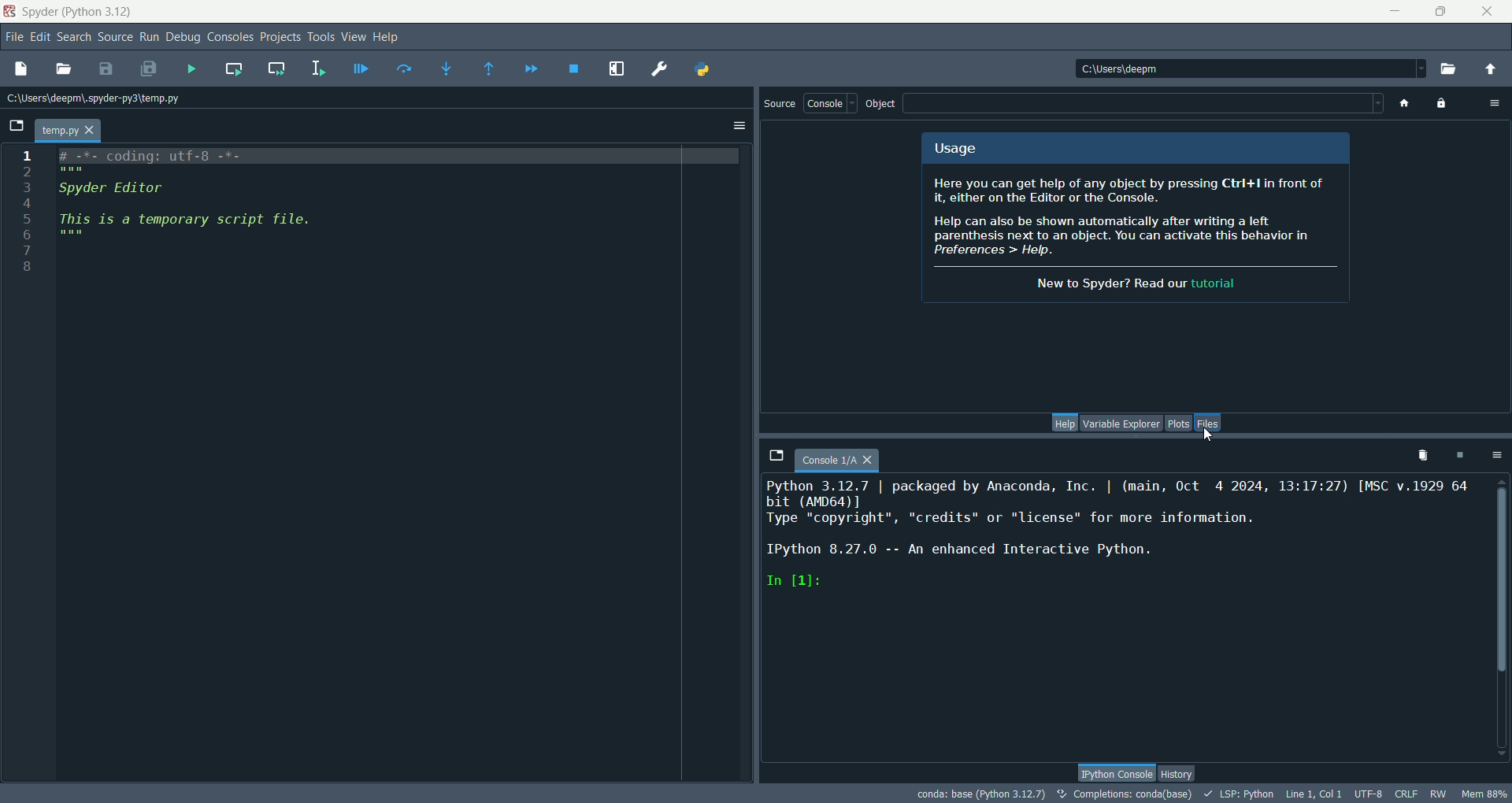  Describe the element at coordinates (62, 68) in the screenshot. I see `open file` at that location.